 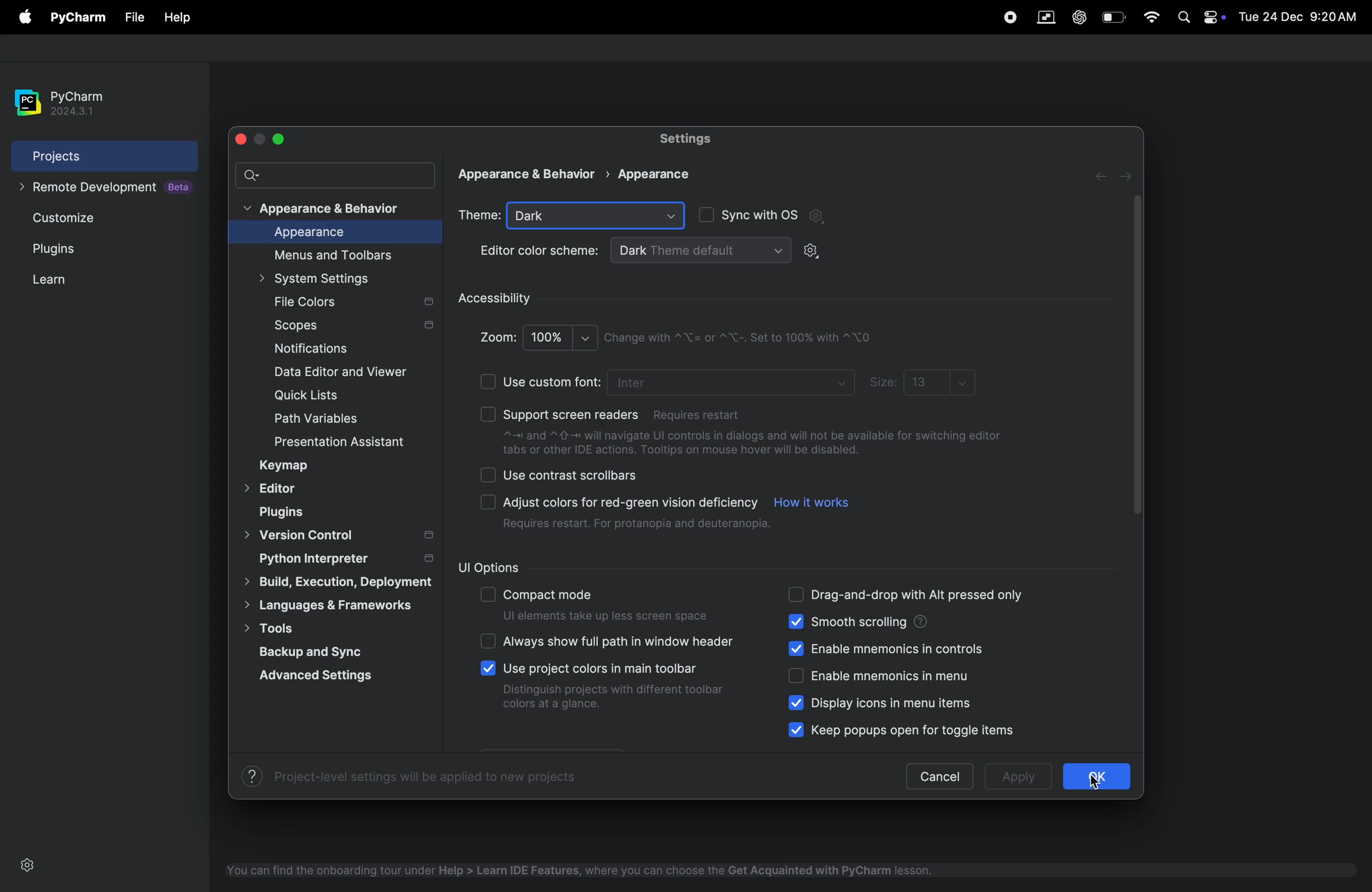 I want to click on remote developement, so click(x=108, y=188).